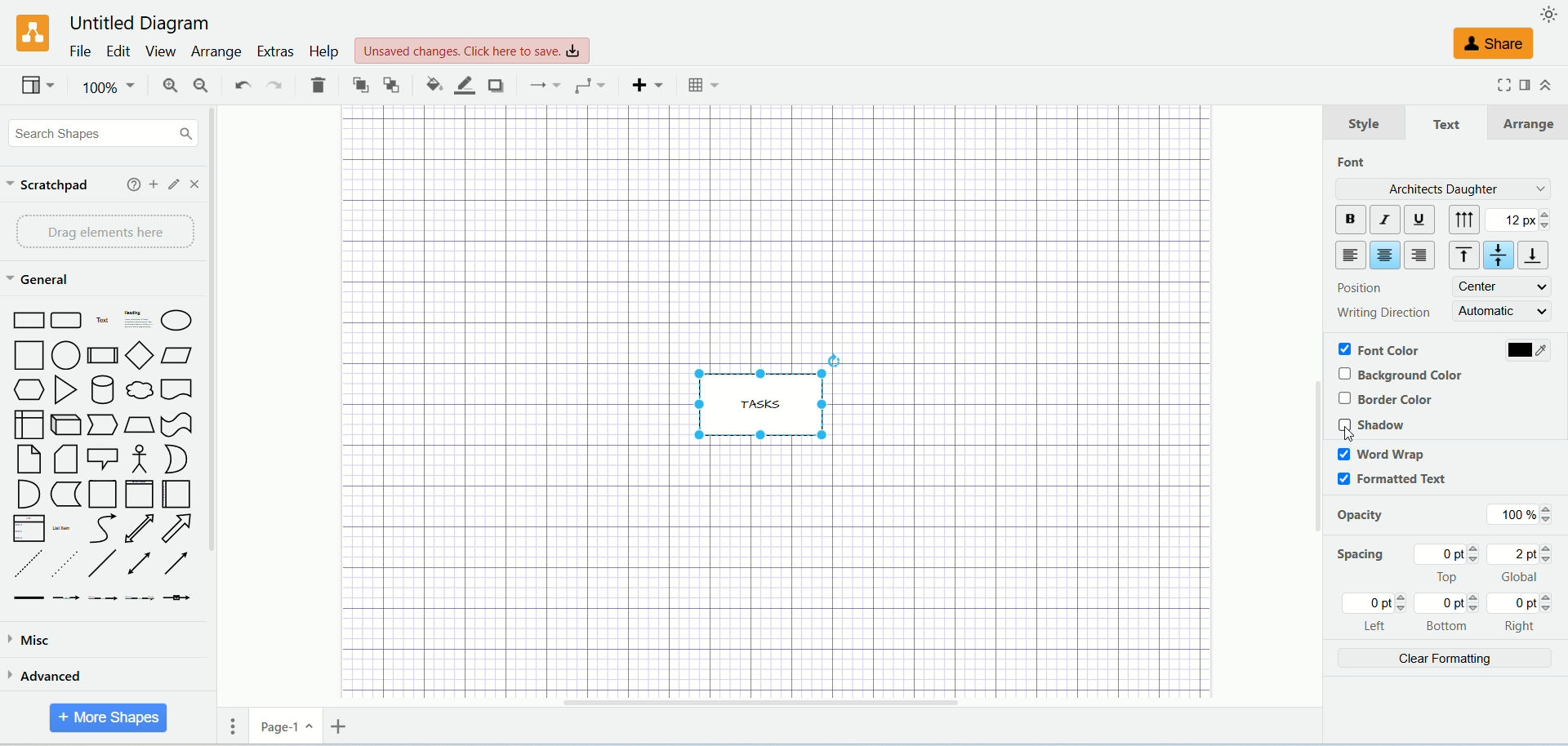 The image size is (1568, 746). What do you see at coordinates (426, 84) in the screenshot?
I see `fill color` at bounding box center [426, 84].